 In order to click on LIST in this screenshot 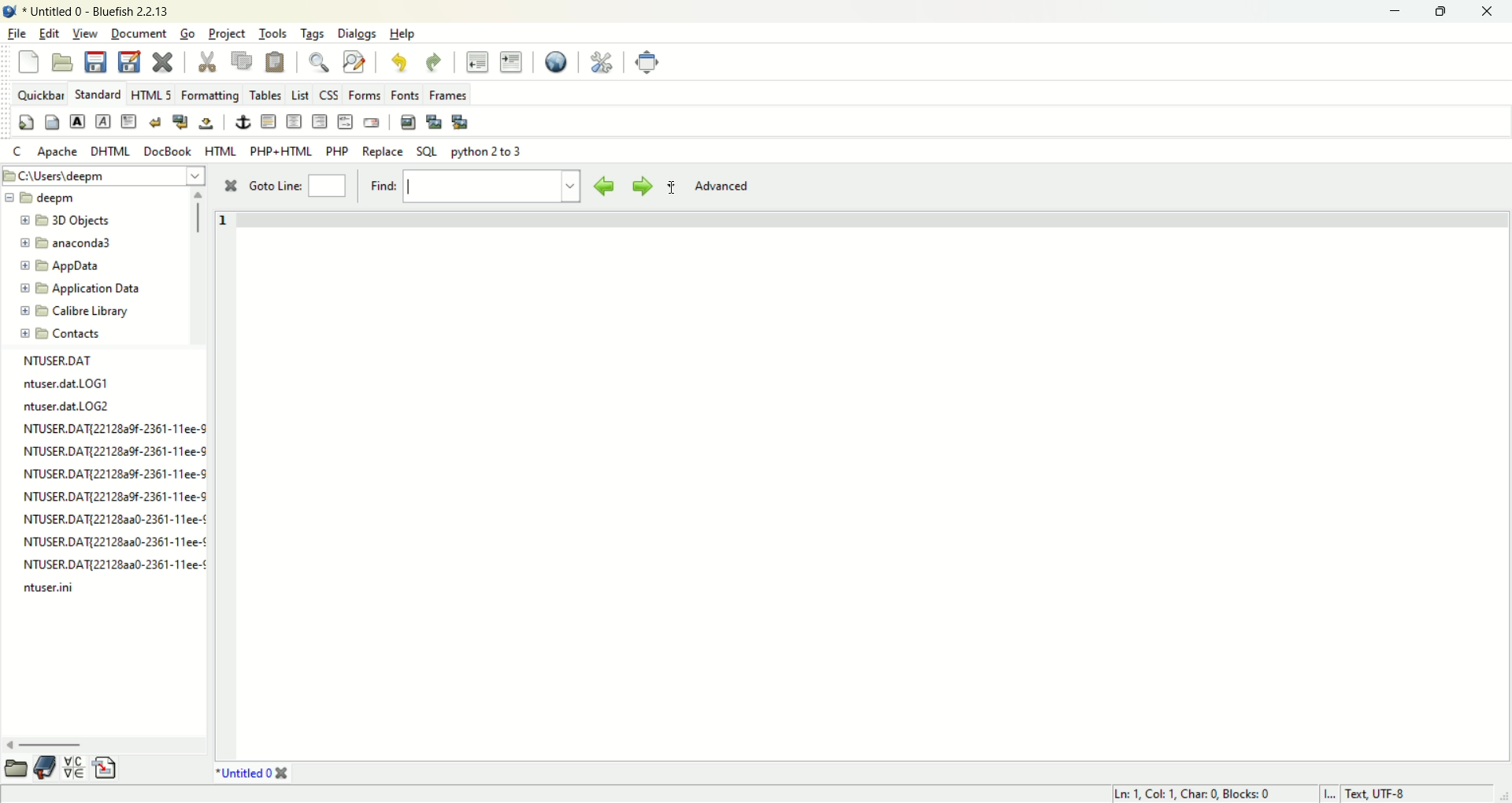, I will do `click(298, 94)`.